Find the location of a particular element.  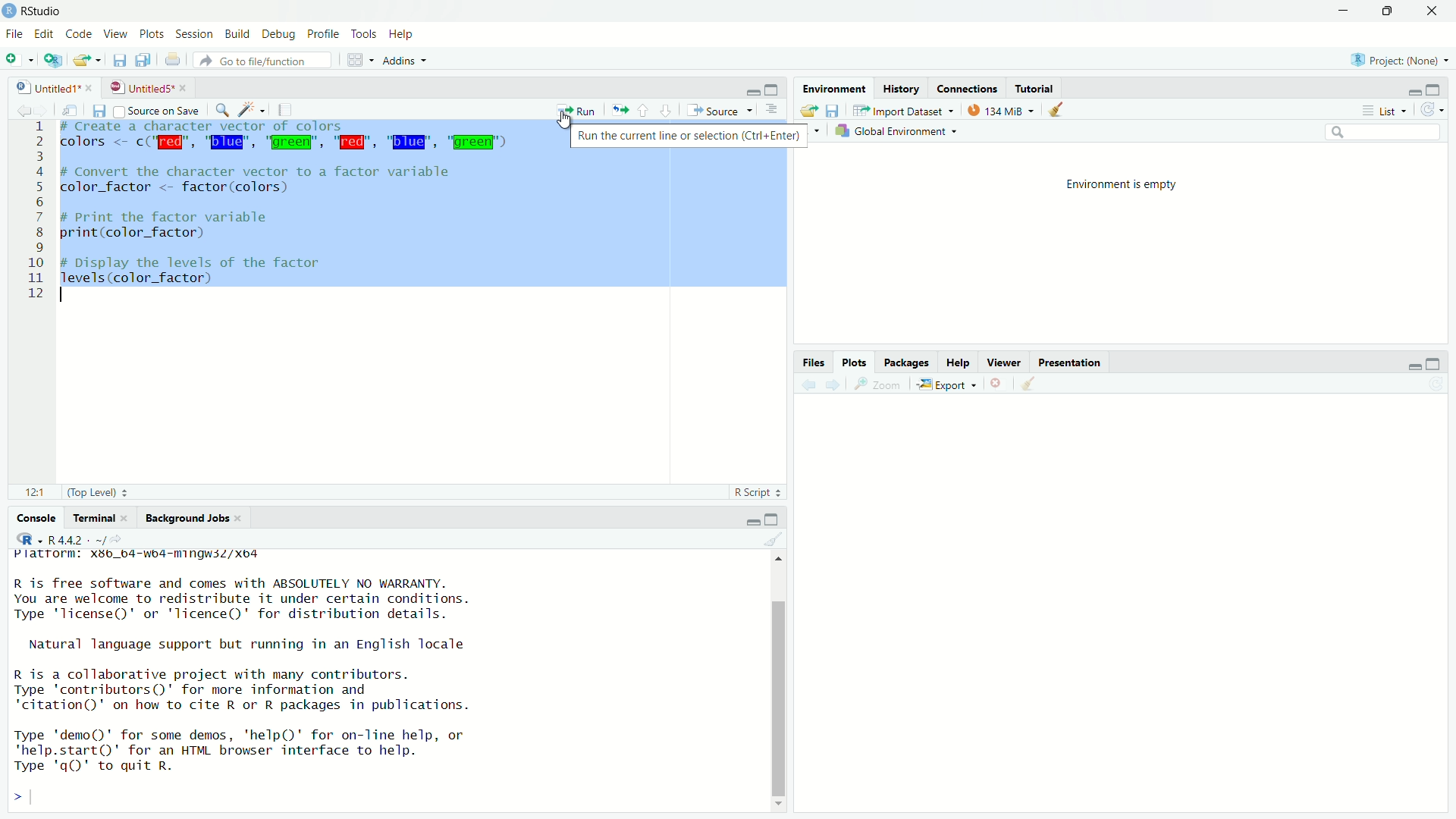

Environment is empty is located at coordinates (1122, 183).